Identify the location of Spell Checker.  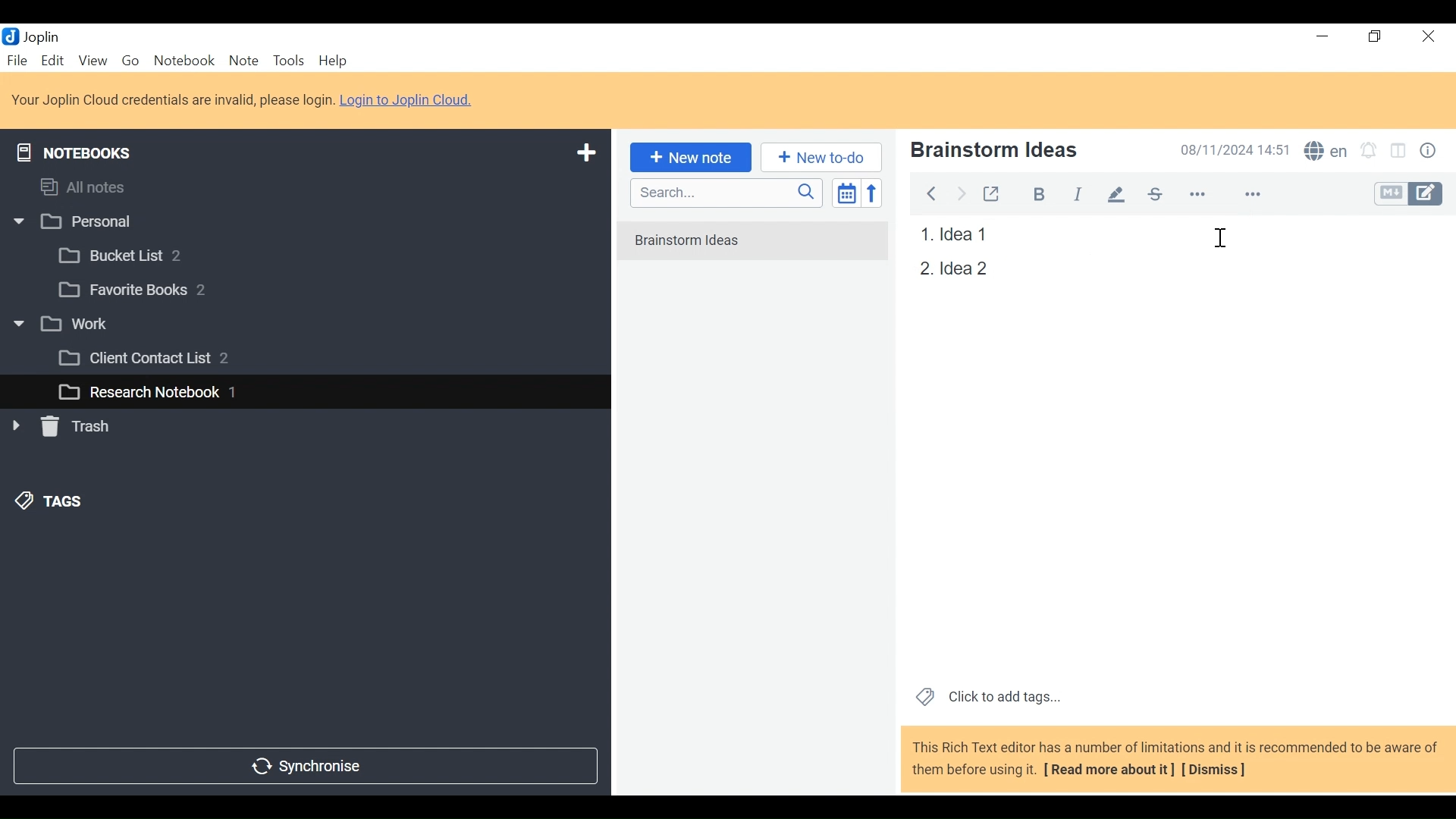
(1326, 152).